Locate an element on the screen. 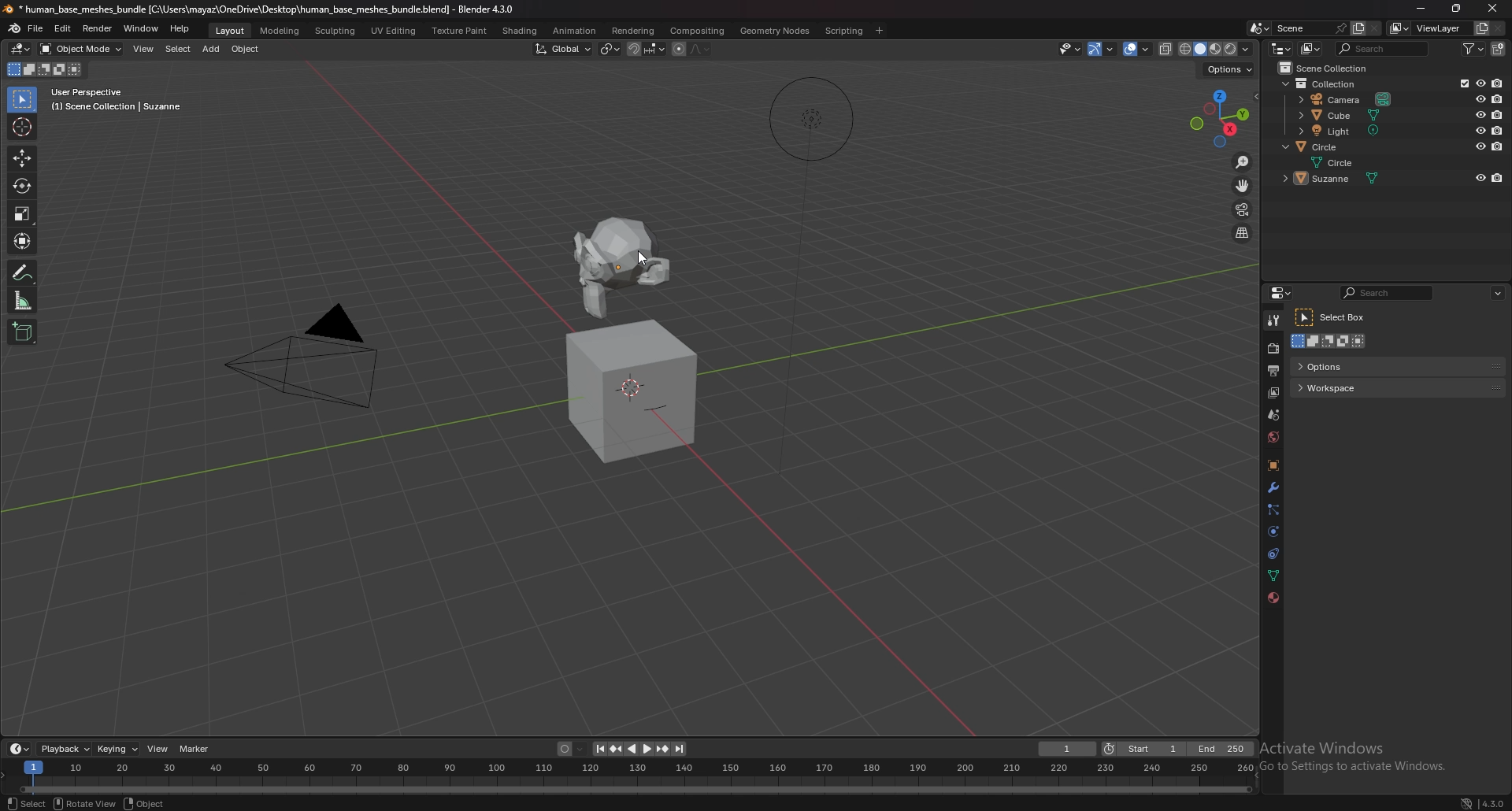 Image resolution: width=1512 pixels, height=811 pixels. cube is located at coordinates (634, 391).